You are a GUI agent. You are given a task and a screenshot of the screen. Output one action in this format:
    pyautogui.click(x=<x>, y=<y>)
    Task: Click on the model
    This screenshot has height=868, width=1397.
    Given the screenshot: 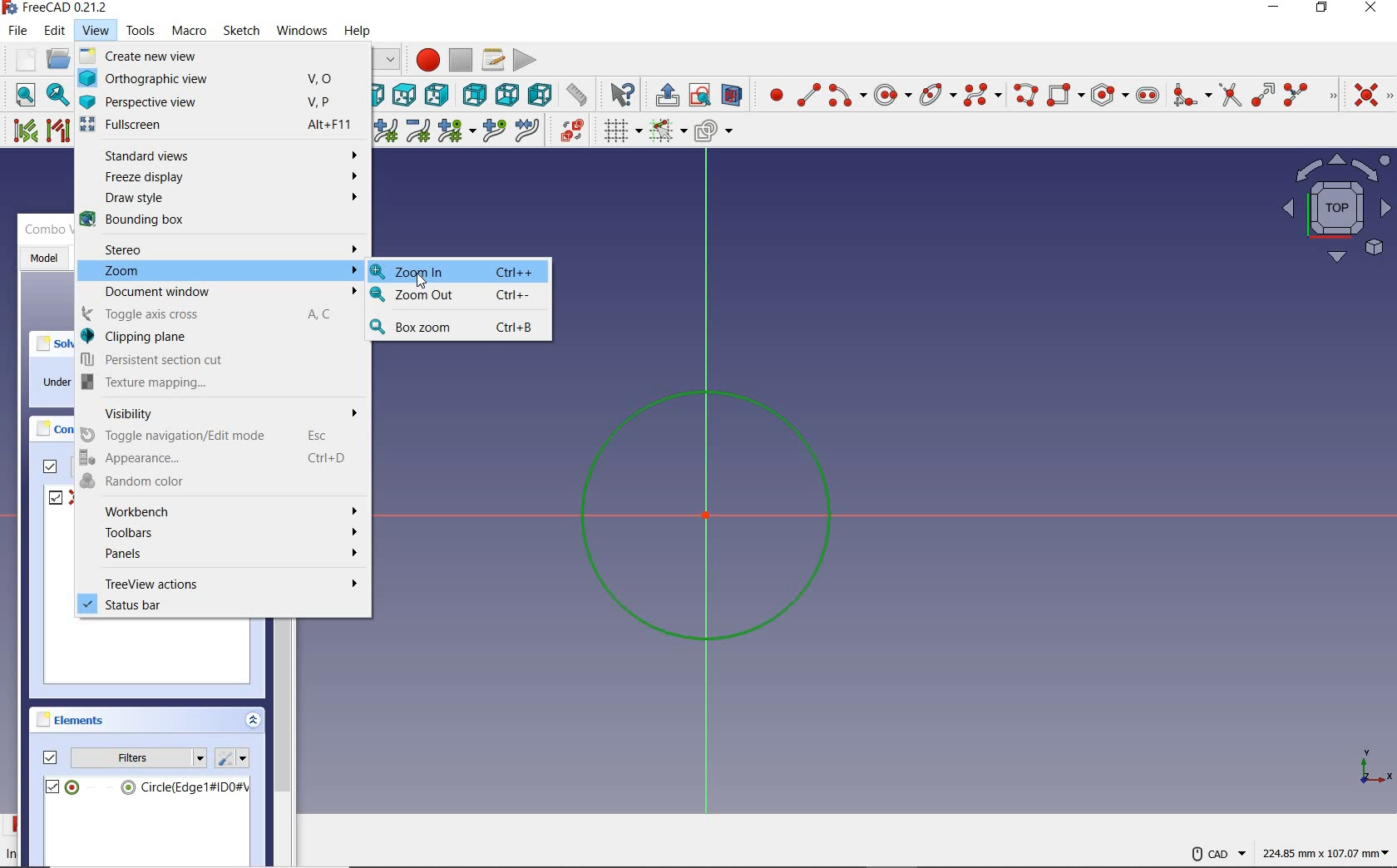 What is the action you would take?
    pyautogui.click(x=43, y=259)
    